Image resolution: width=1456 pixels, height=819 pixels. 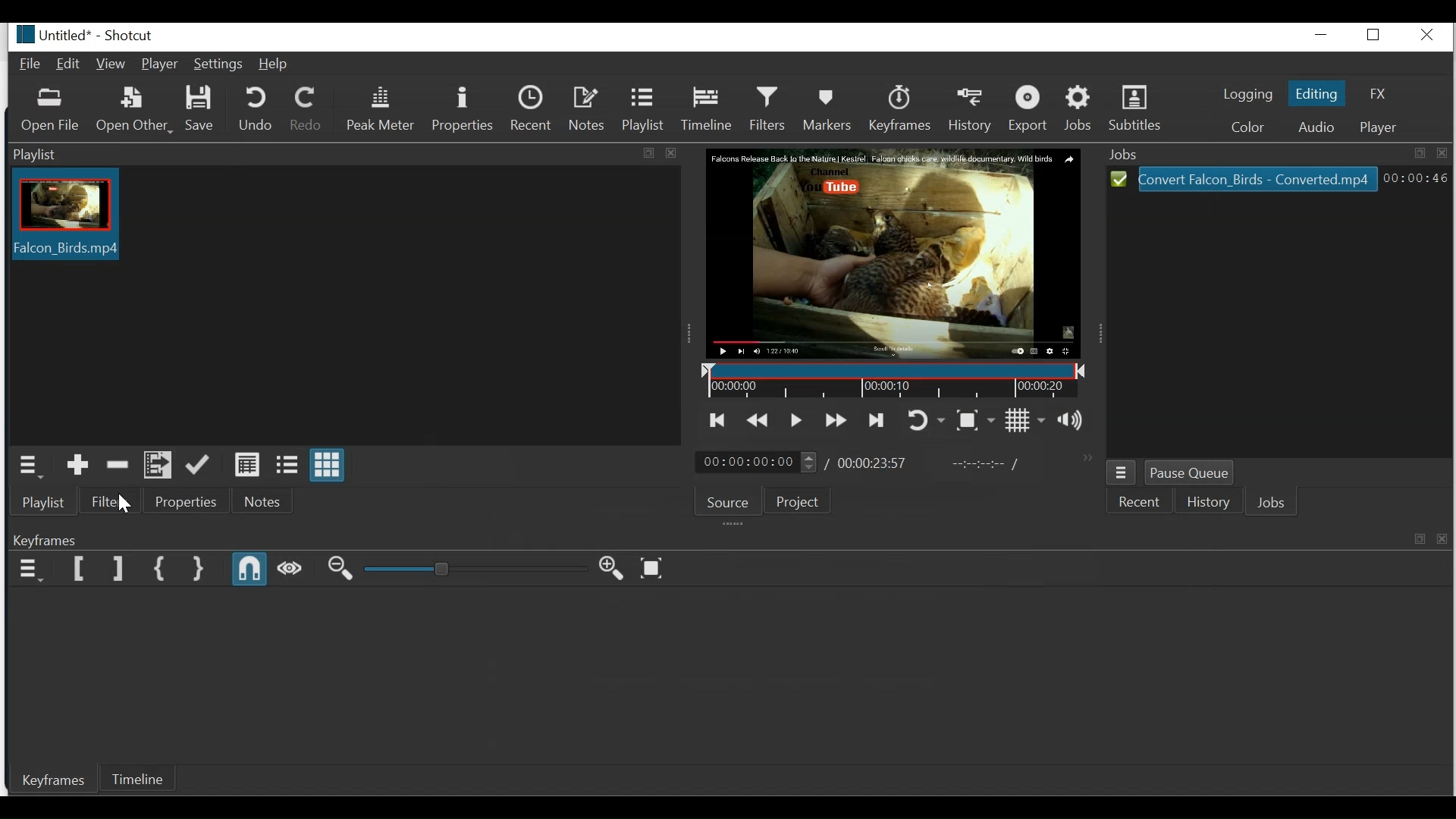 I want to click on Color, so click(x=1247, y=126).